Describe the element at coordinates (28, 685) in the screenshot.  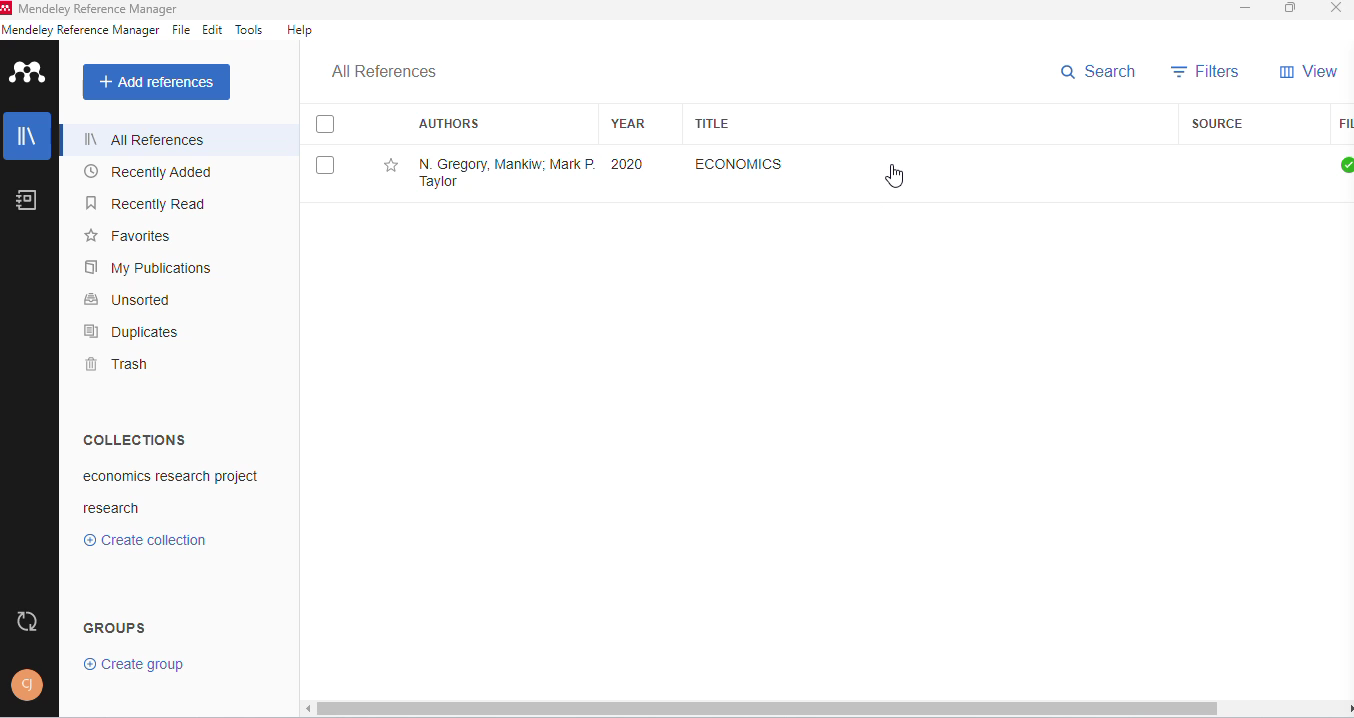
I see `profile` at that location.